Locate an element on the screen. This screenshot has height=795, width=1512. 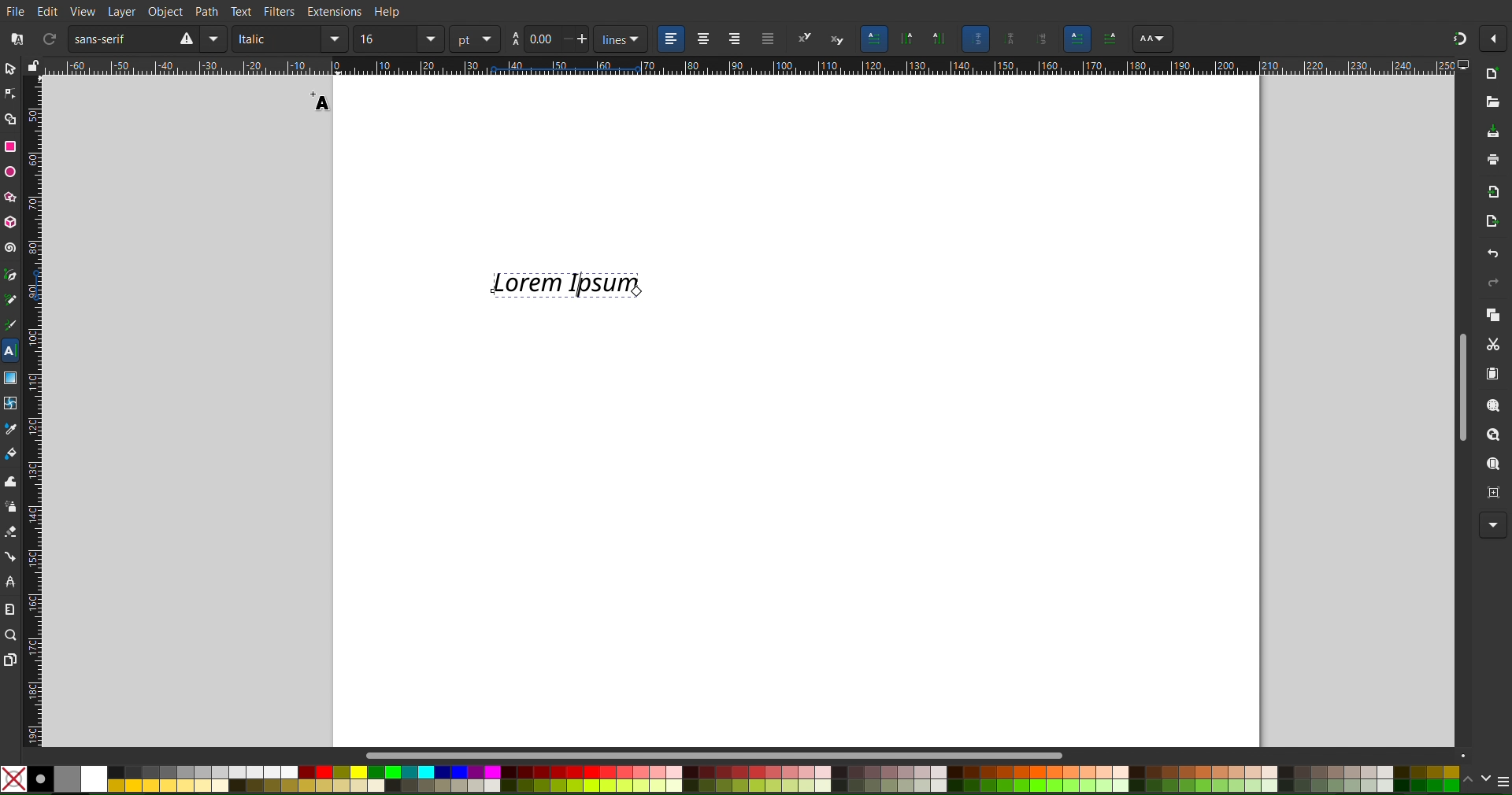
Colors is located at coordinates (732, 778).